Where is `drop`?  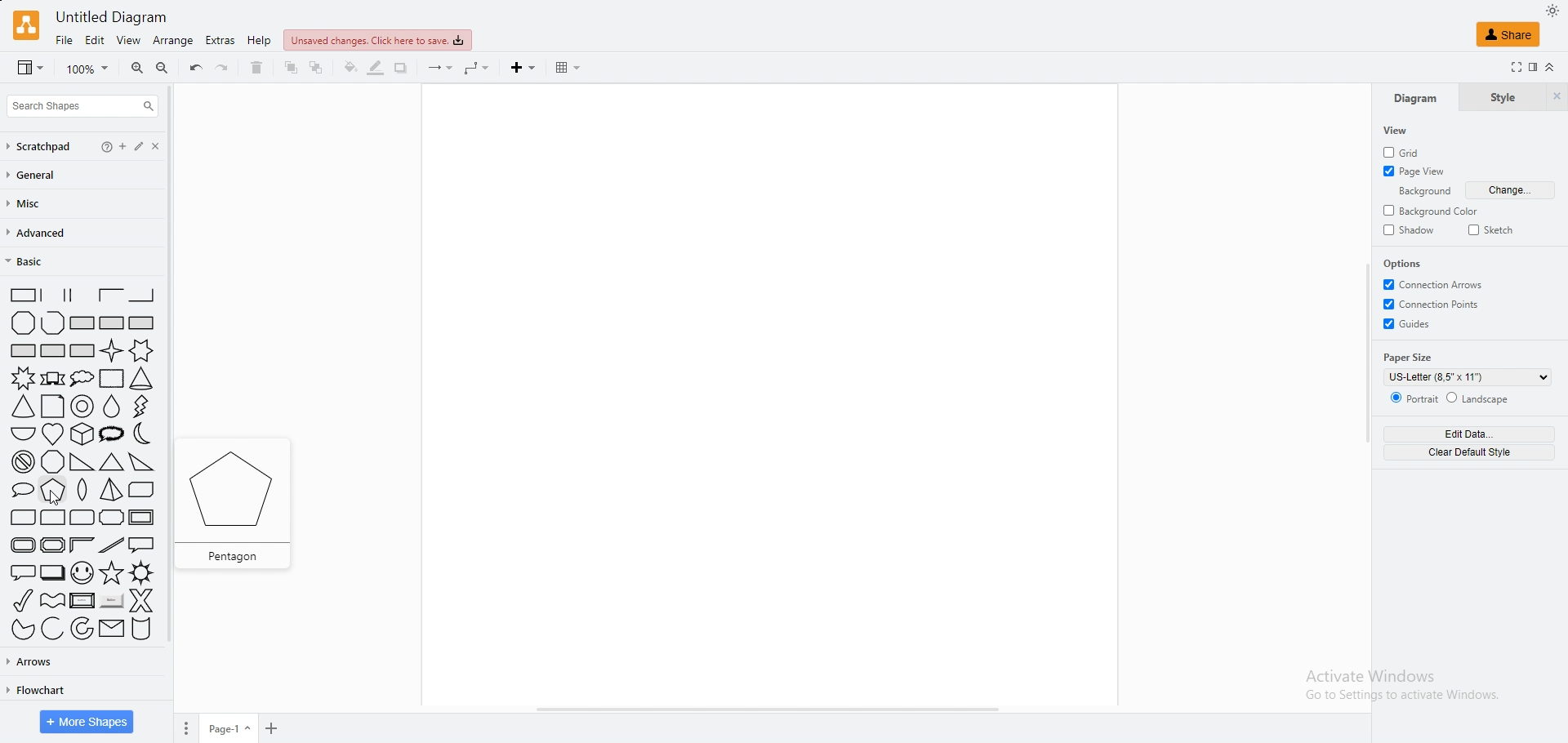 drop is located at coordinates (113, 407).